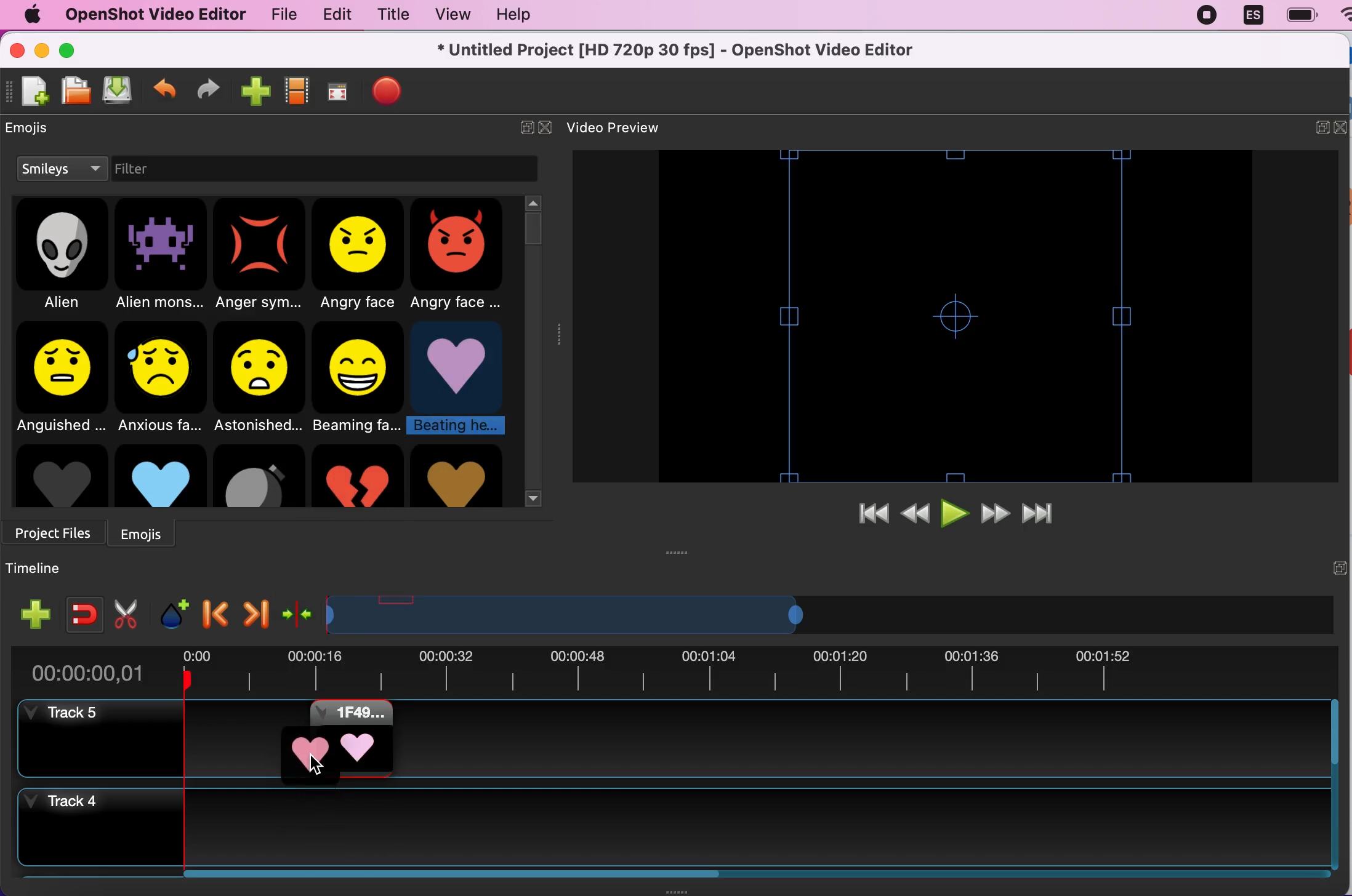 The image size is (1352, 896). What do you see at coordinates (29, 97) in the screenshot?
I see `new file` at bounding box center [29, 97].